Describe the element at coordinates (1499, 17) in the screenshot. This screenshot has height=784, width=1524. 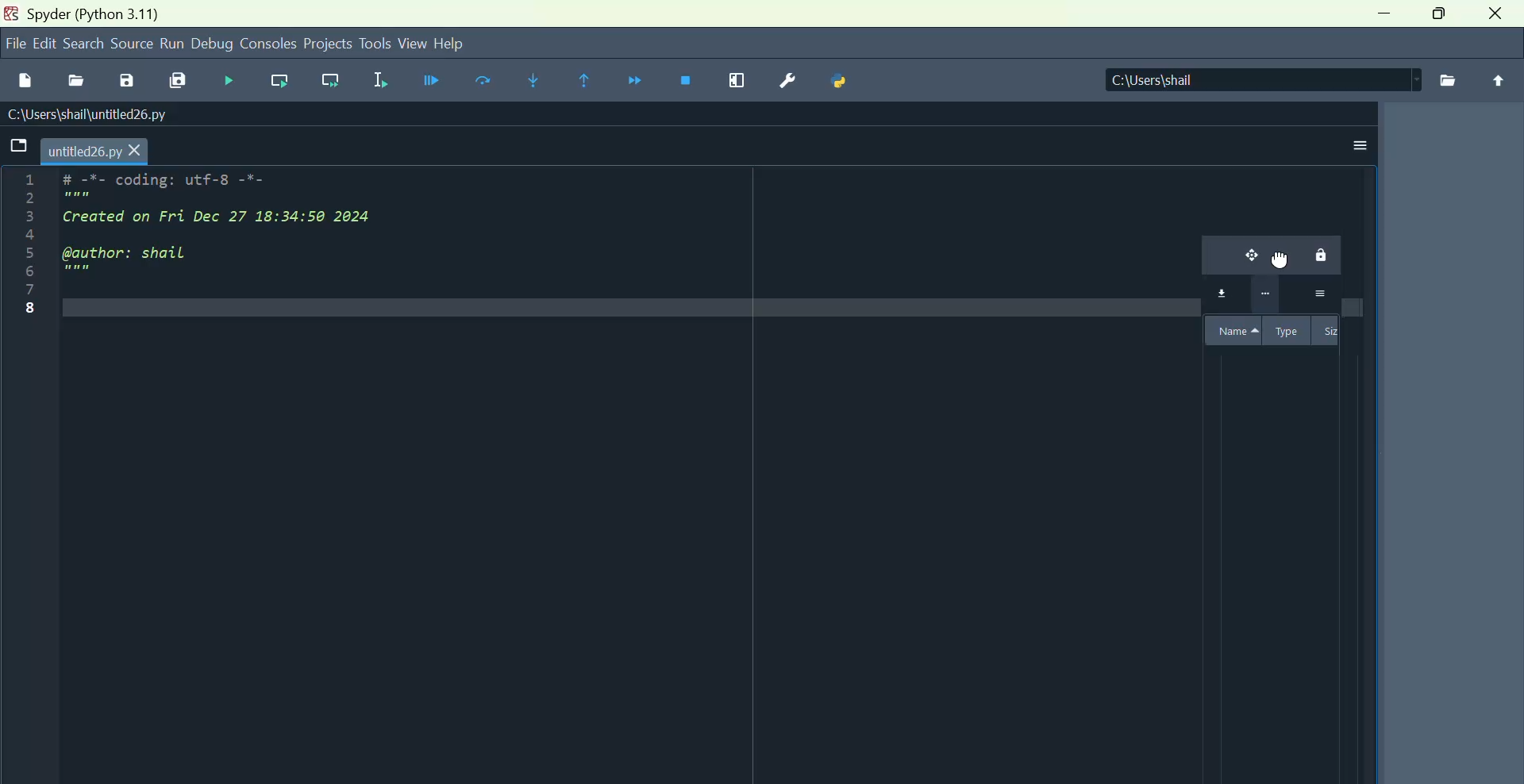
I see `close` at that location.